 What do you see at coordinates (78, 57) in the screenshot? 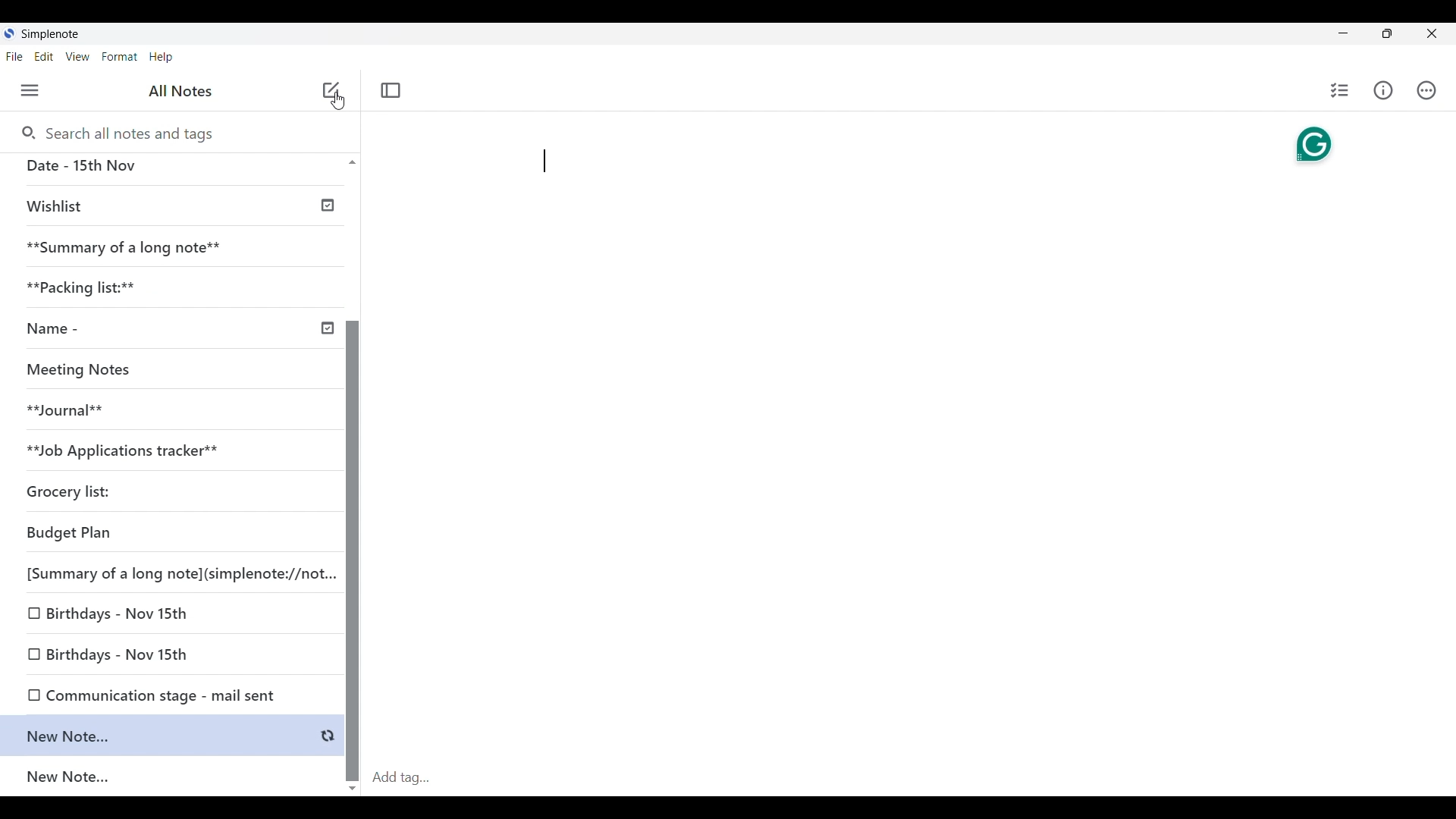
I see `View` at bounding box center [78, 57].